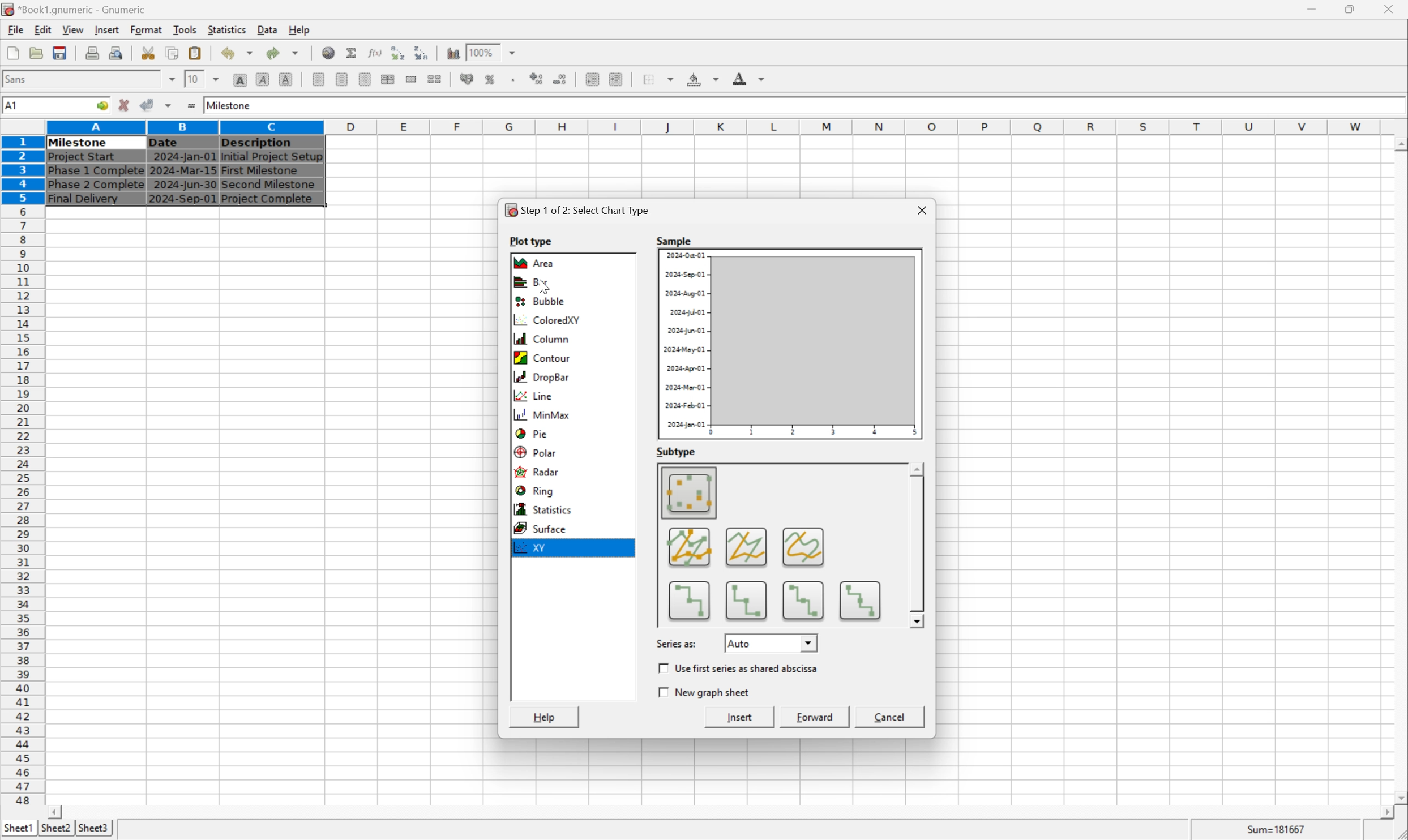  Describe the element at coordinates (546, 414) in the screenshot. I see `minmax` at that location.